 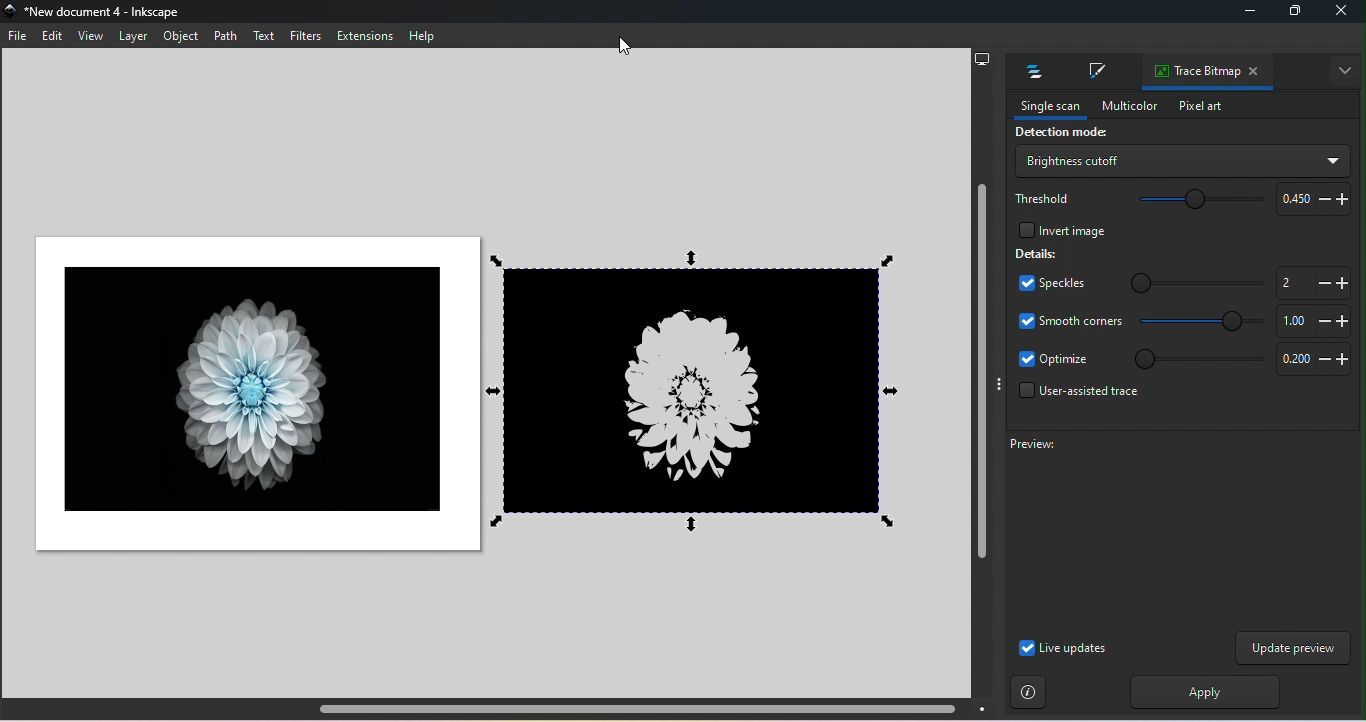 I want to click on Drop down menu, so click(x=1181, y=161).